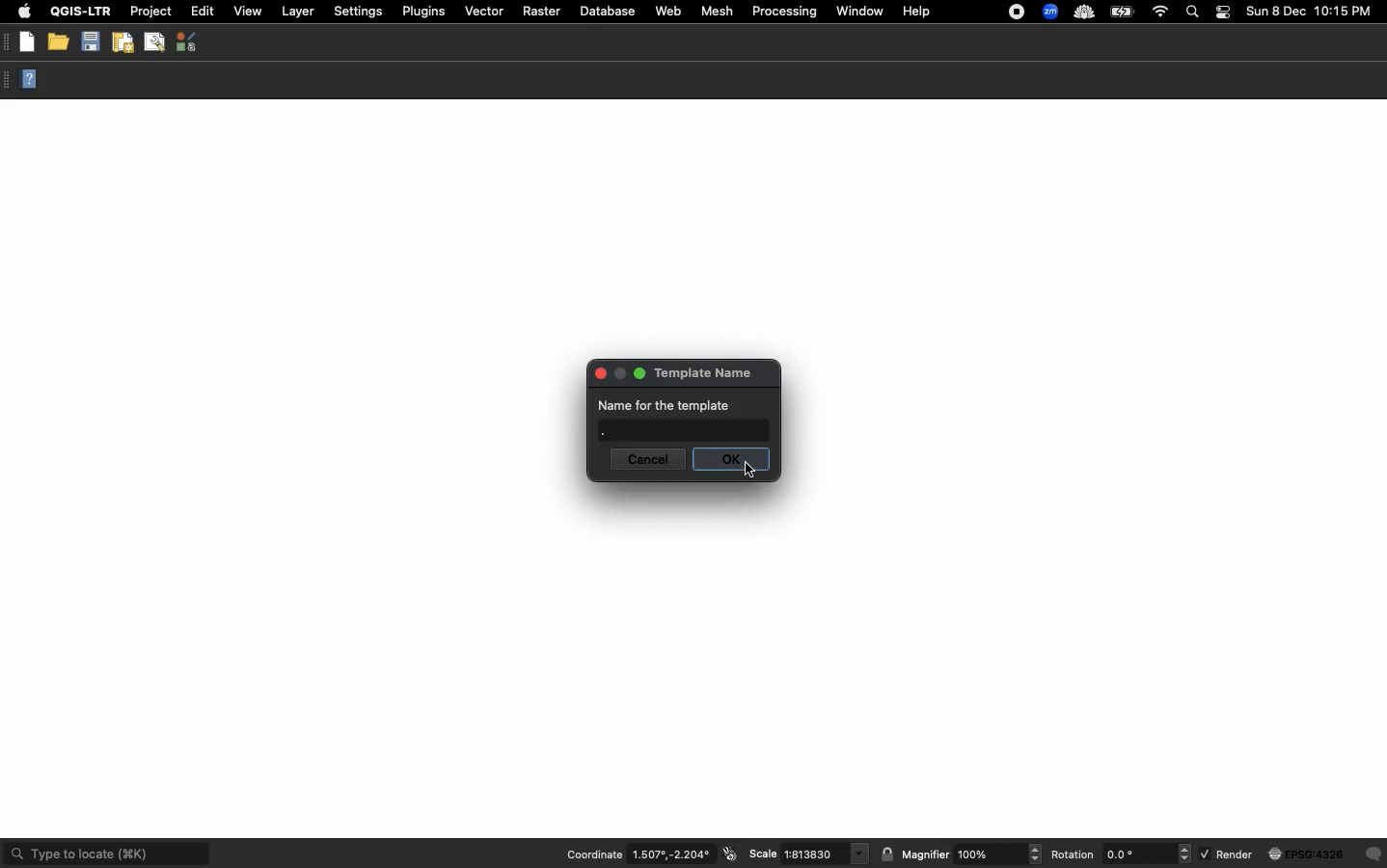 The width and height of the screenshot is (1387, 868). Describe the element at coordinates (482, 13) in the screenshot. I see `Vector` at that location.